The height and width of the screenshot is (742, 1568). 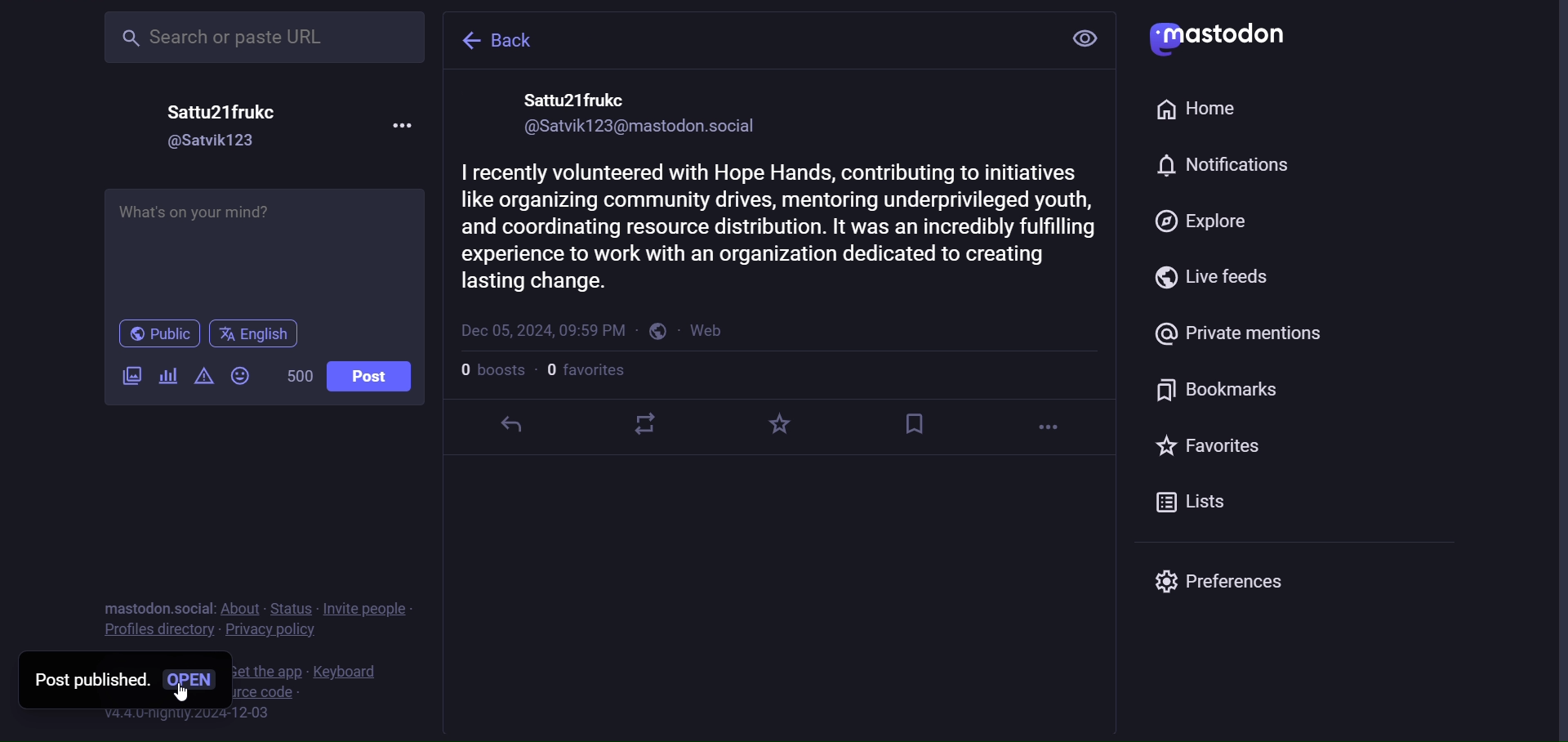 I want to click on content  warning, so click(x=203, y=378).